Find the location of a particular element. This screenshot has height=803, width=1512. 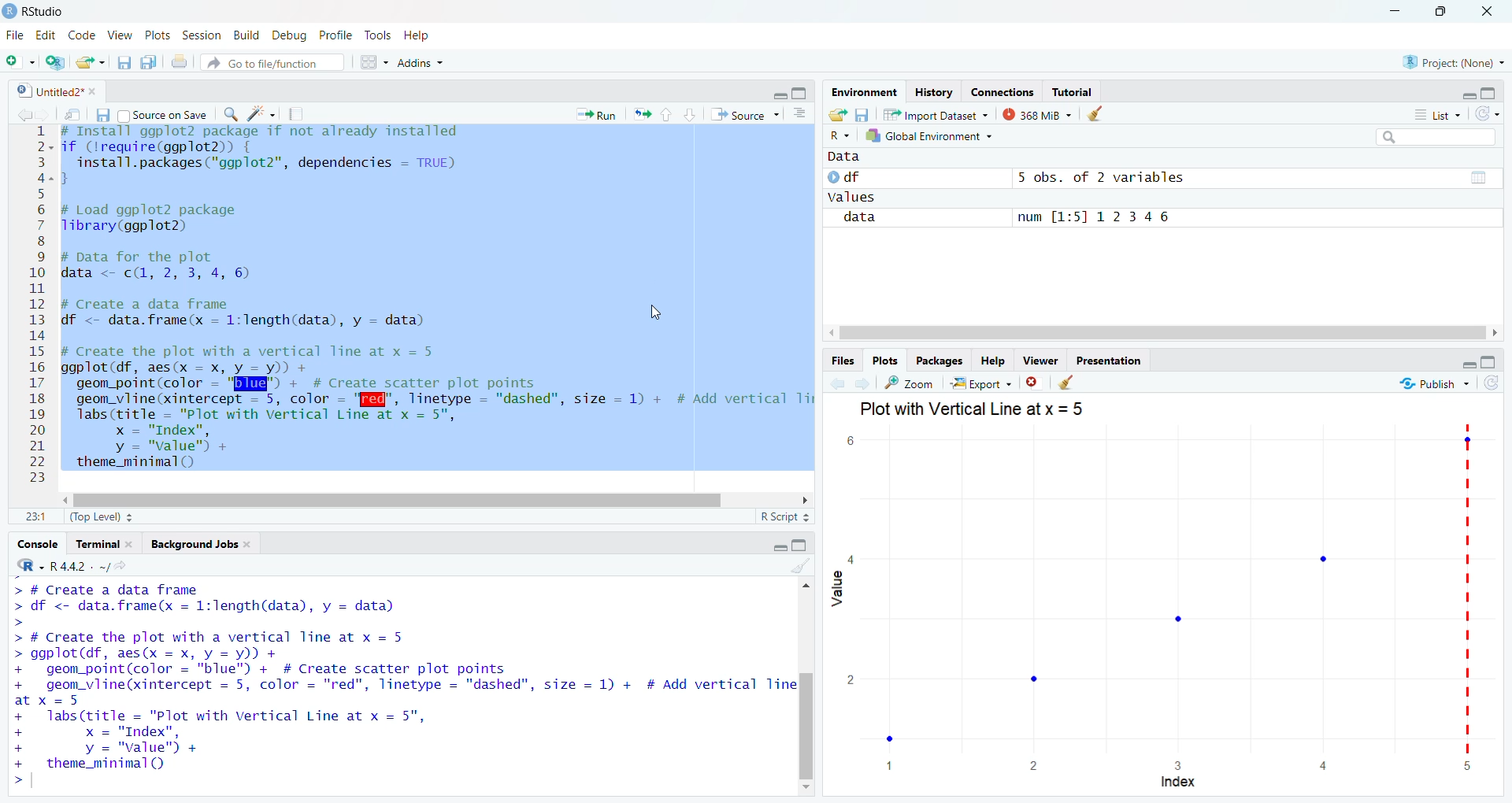

scroll bar is located at coordinates (419, 498).